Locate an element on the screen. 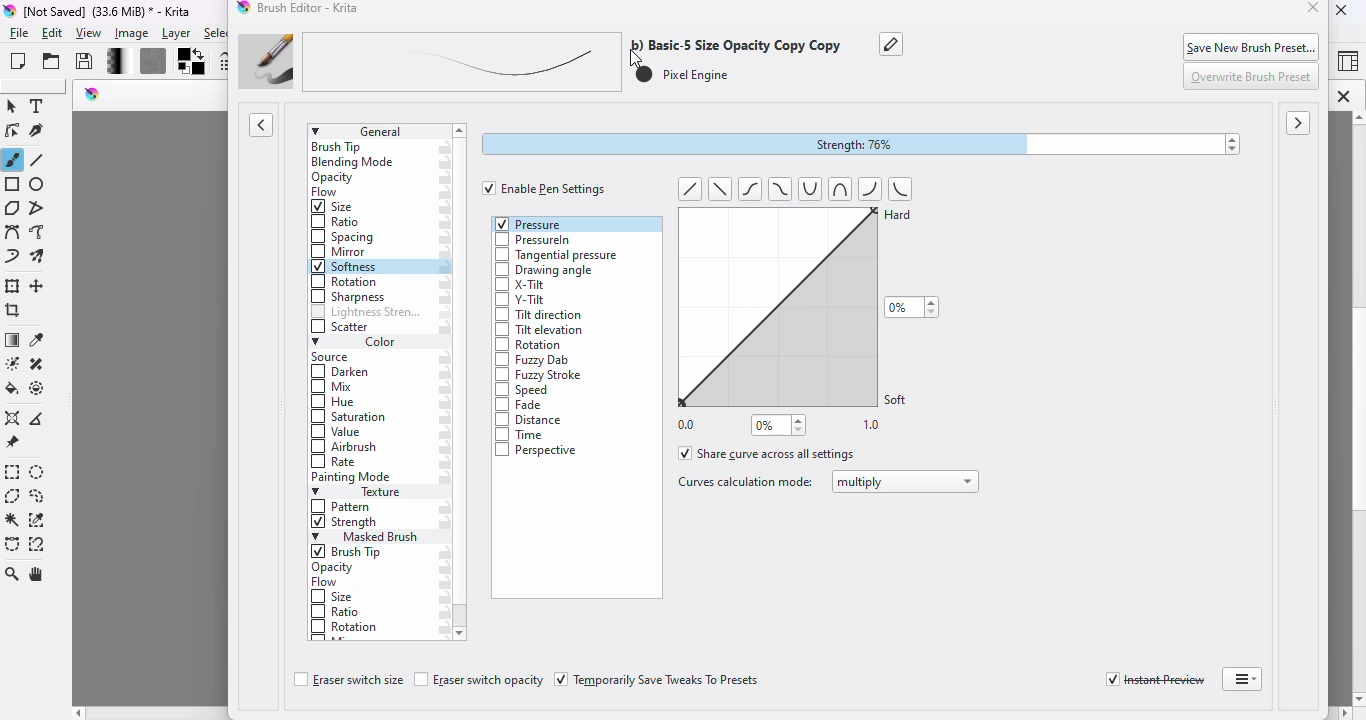 This screenshot has width=1366, height=720. pressureIn is located at coordinates (533, 240).